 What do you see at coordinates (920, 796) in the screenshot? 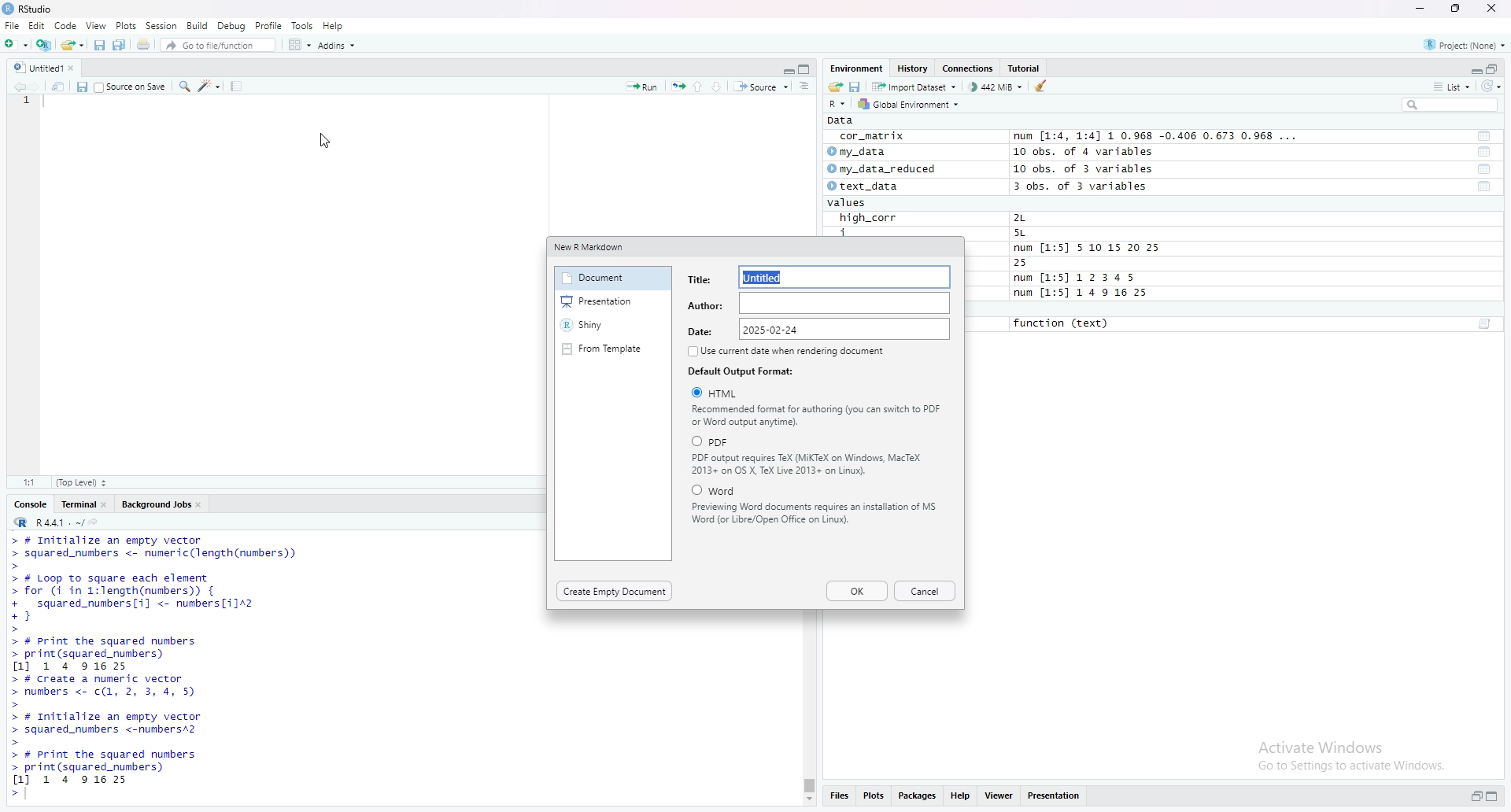
I see `Packages` at bounding box center [920, 796].